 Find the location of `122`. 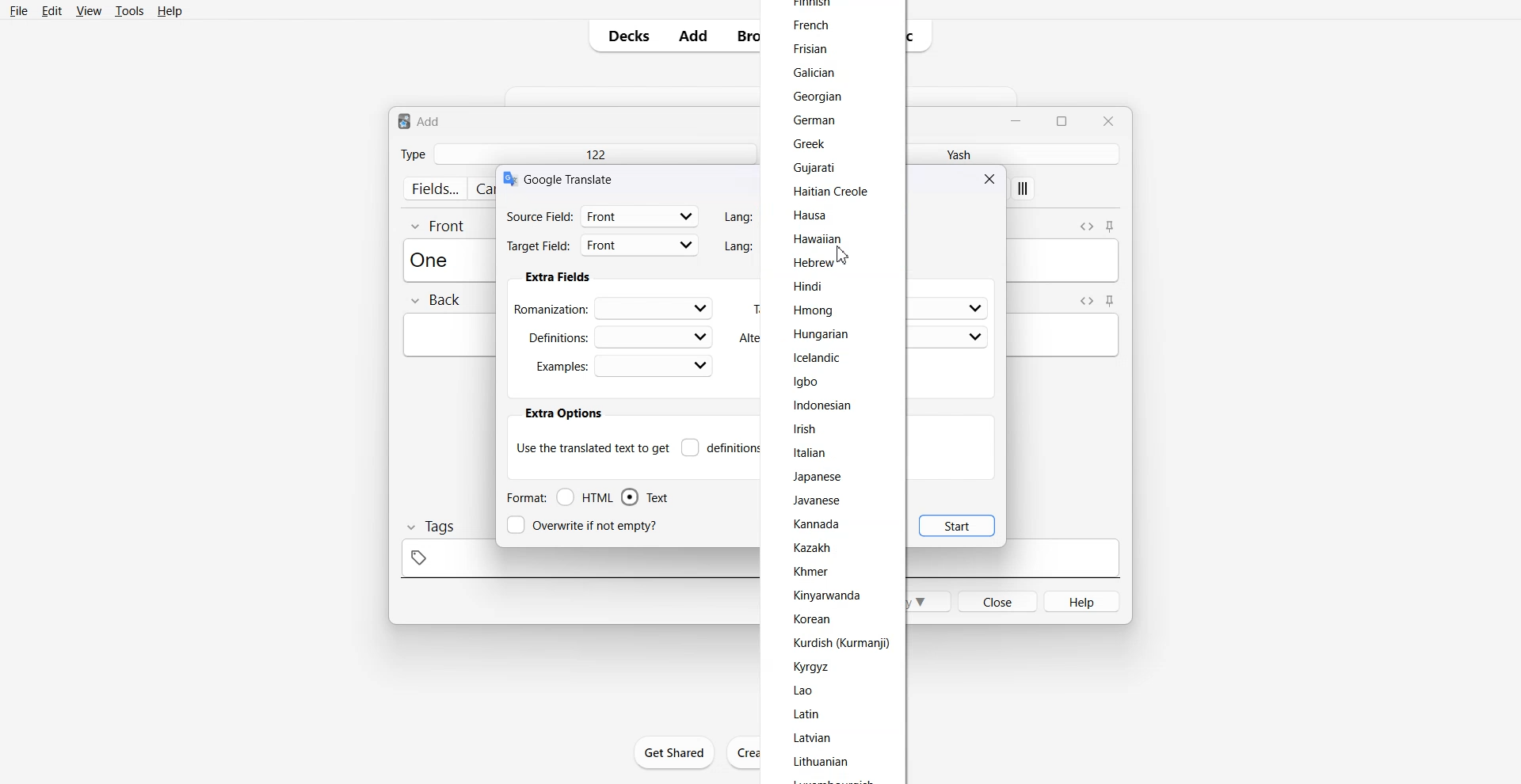

122 is located at coordinates (594, 154).